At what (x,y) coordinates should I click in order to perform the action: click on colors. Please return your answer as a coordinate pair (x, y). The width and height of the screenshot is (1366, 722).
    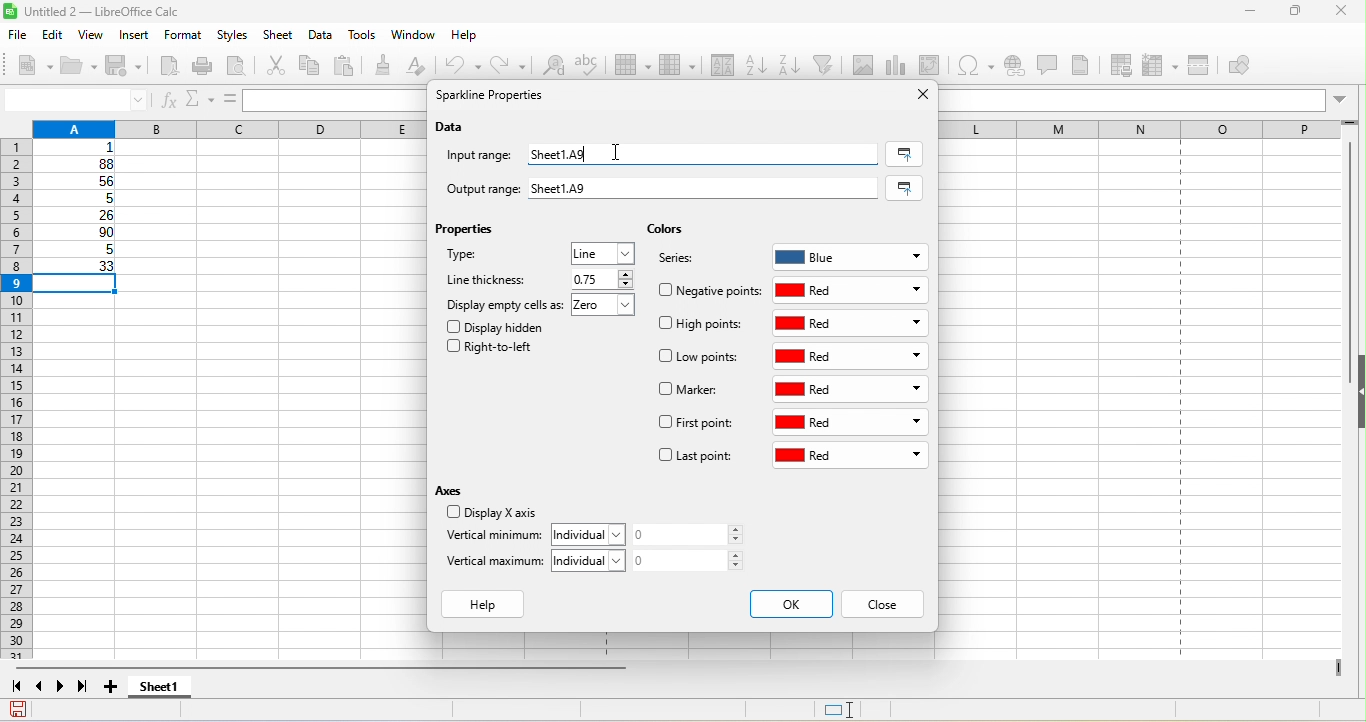
    Looking at the image, I should click on (665, 230).